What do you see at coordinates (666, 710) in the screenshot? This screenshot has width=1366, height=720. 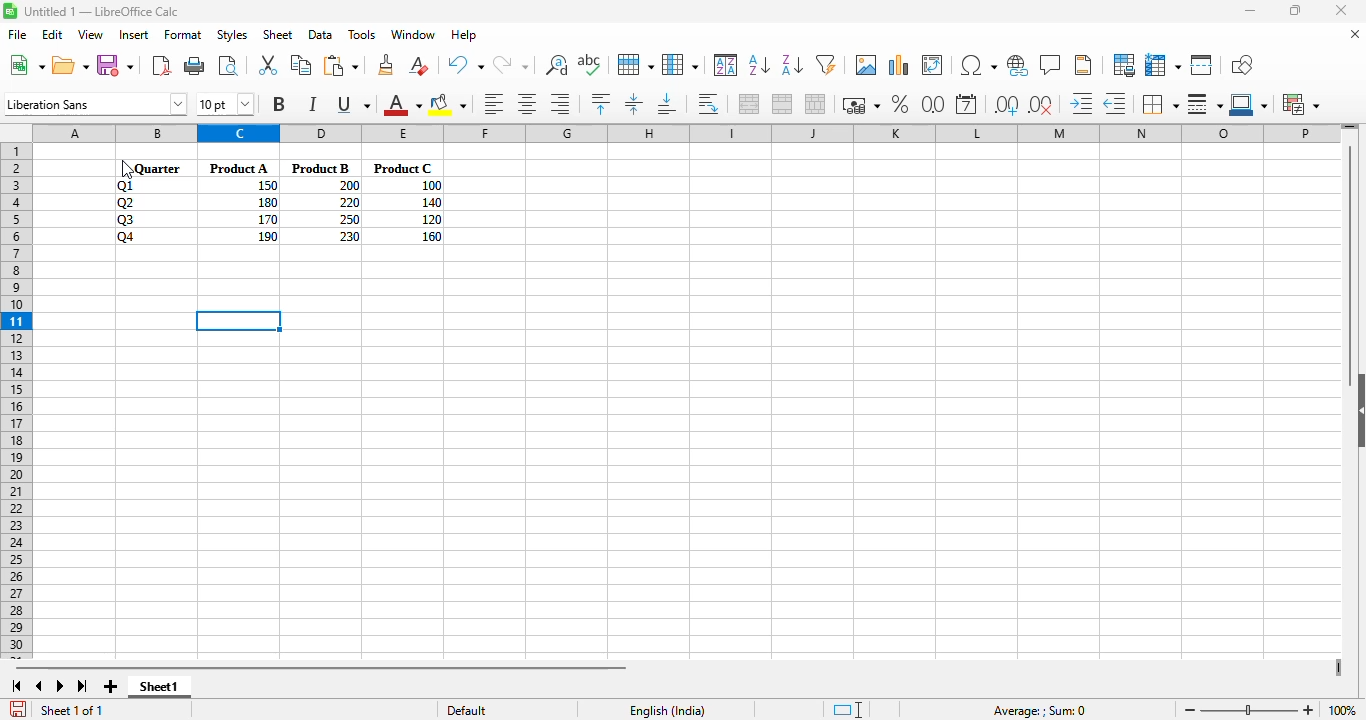 I see `English (India)` at bounding box center [666, 710].